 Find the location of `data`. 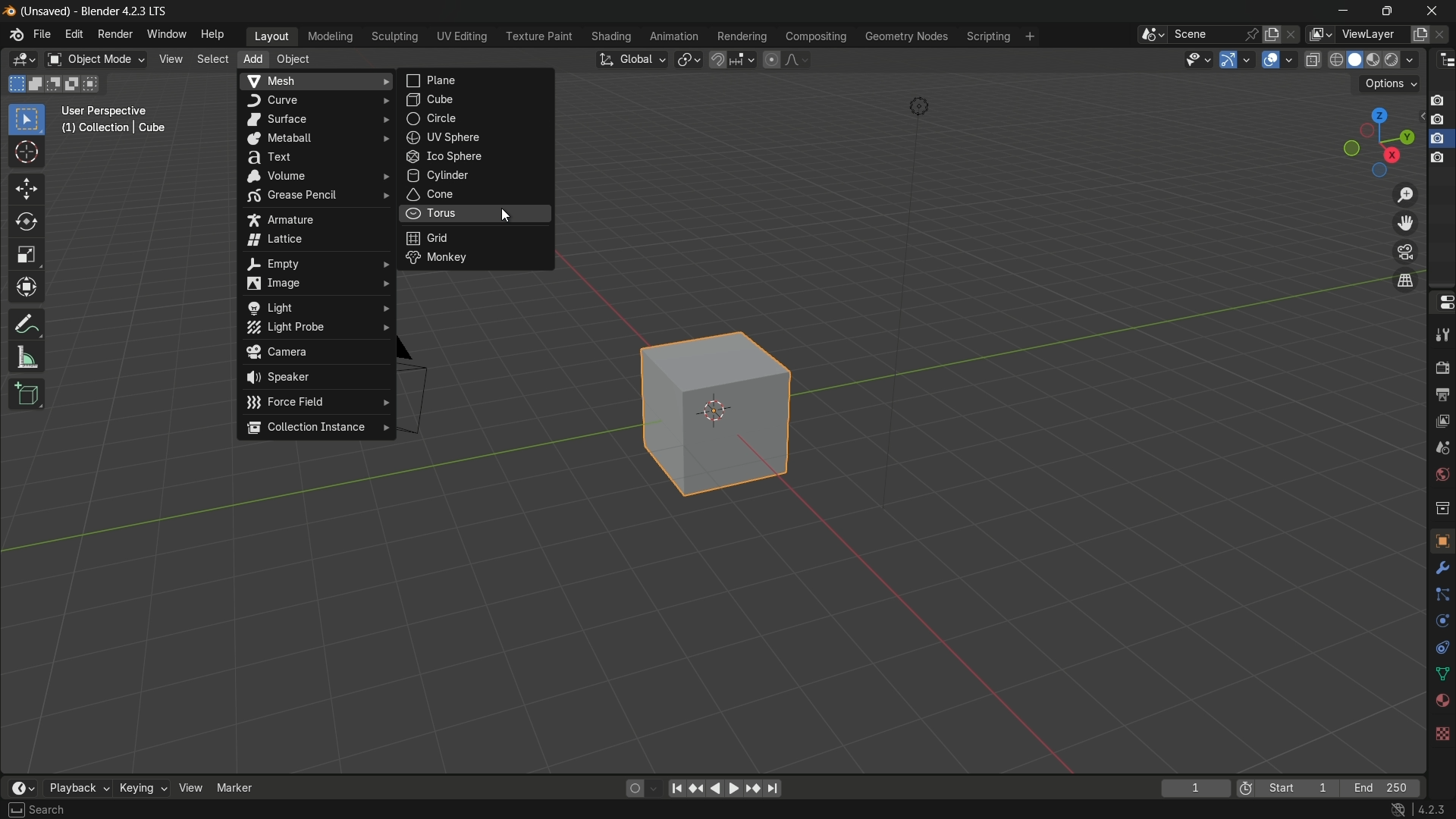

data is located at coordinates (1439, 675).